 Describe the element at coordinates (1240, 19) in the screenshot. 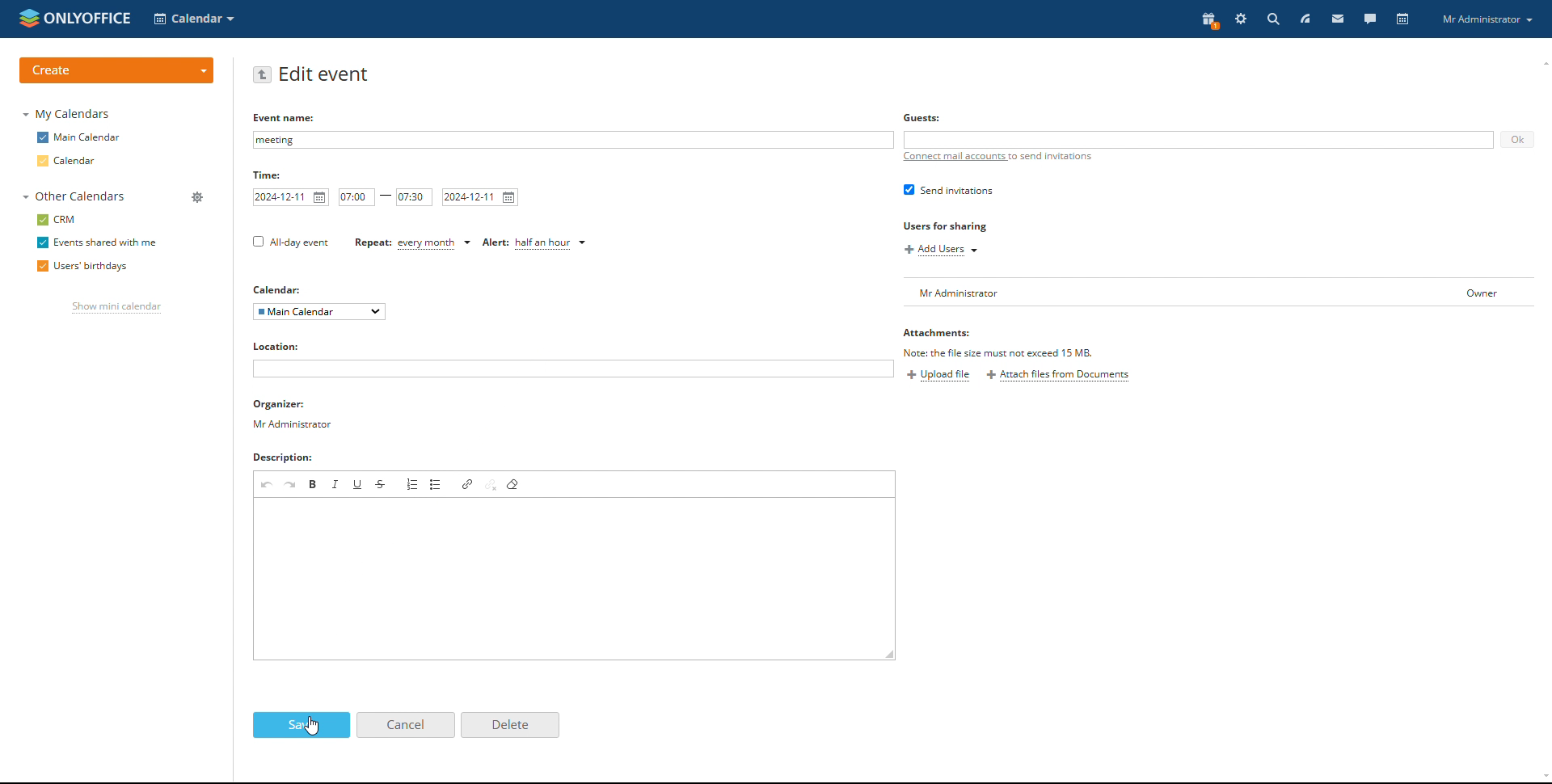

I see `settings` at that location.